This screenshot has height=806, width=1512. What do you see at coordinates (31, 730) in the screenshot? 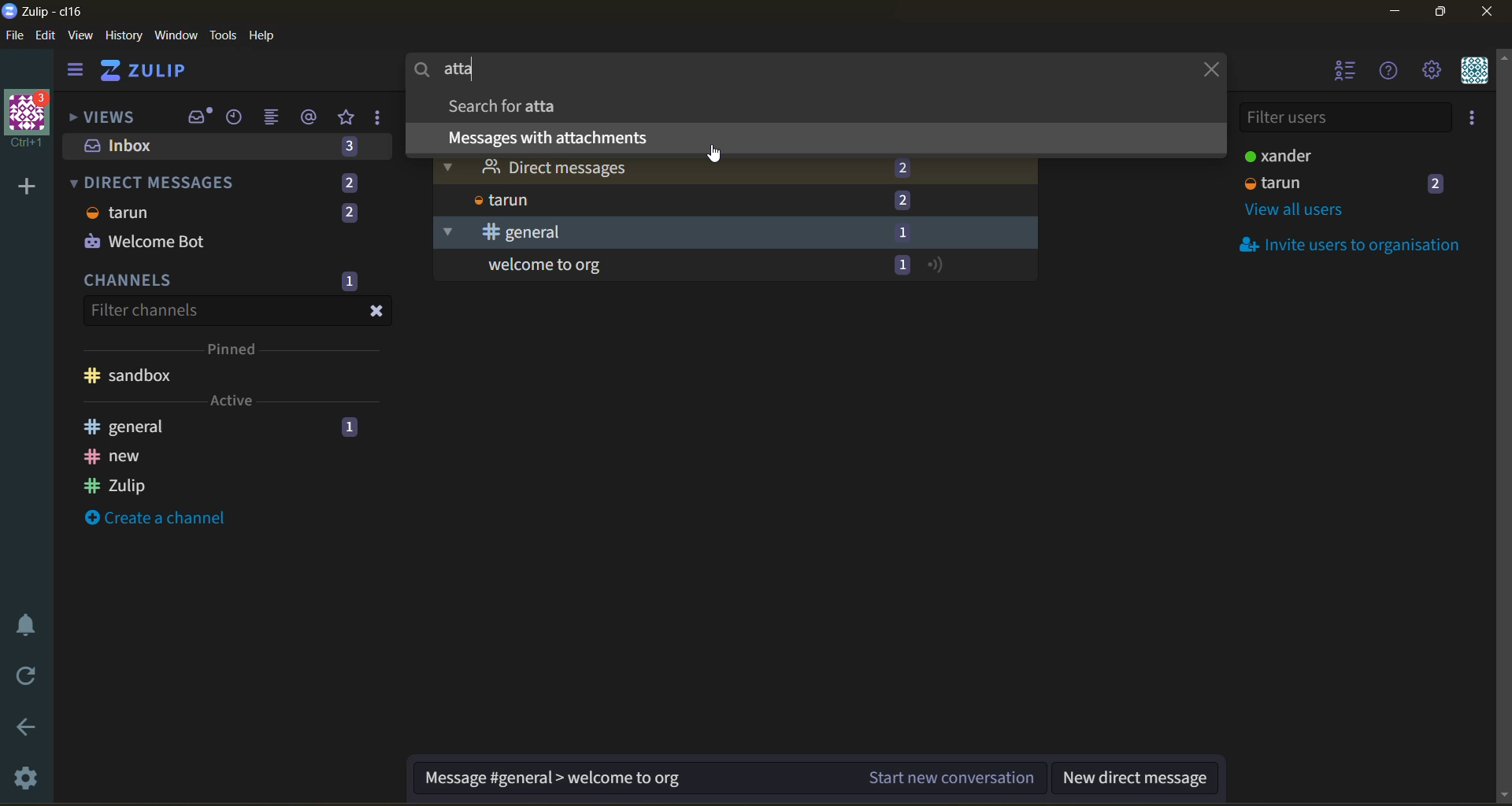
I see `go back` at bounding box center [31, 730].